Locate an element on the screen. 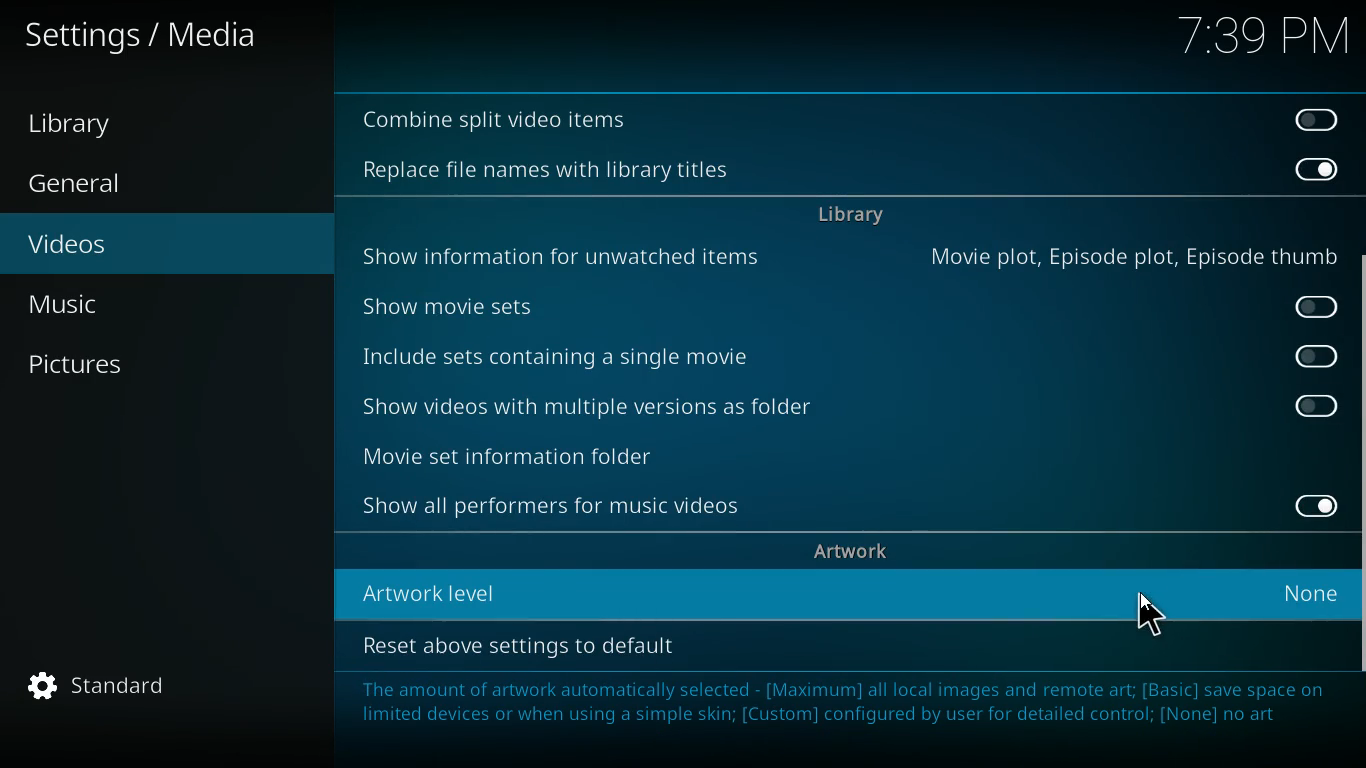 This screenshot has height=768, width=1366. Settings/Media is located at coordinates (146, 36).